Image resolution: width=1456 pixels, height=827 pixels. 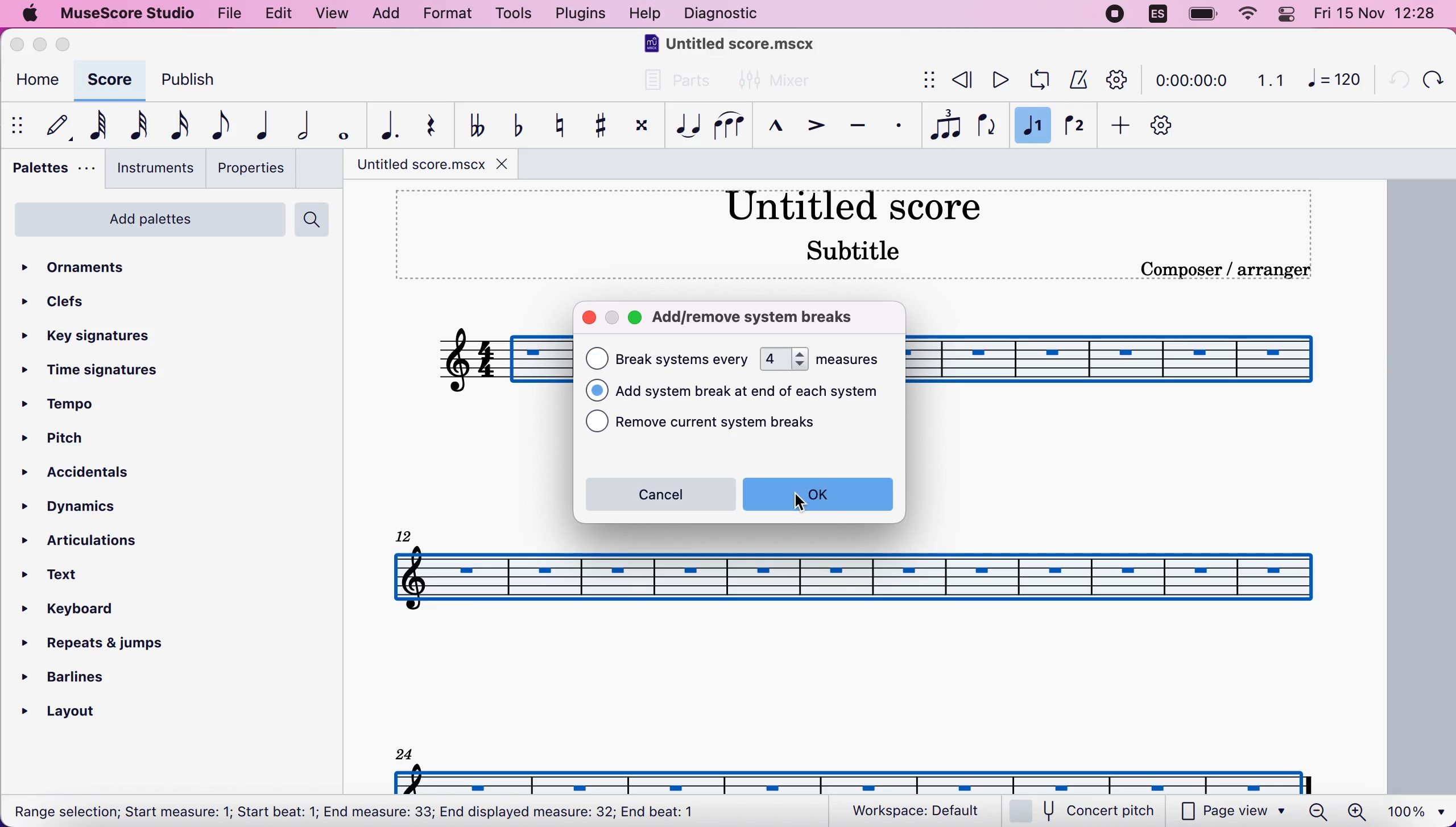 I want to click on mixer, so click(x=775, y=81).